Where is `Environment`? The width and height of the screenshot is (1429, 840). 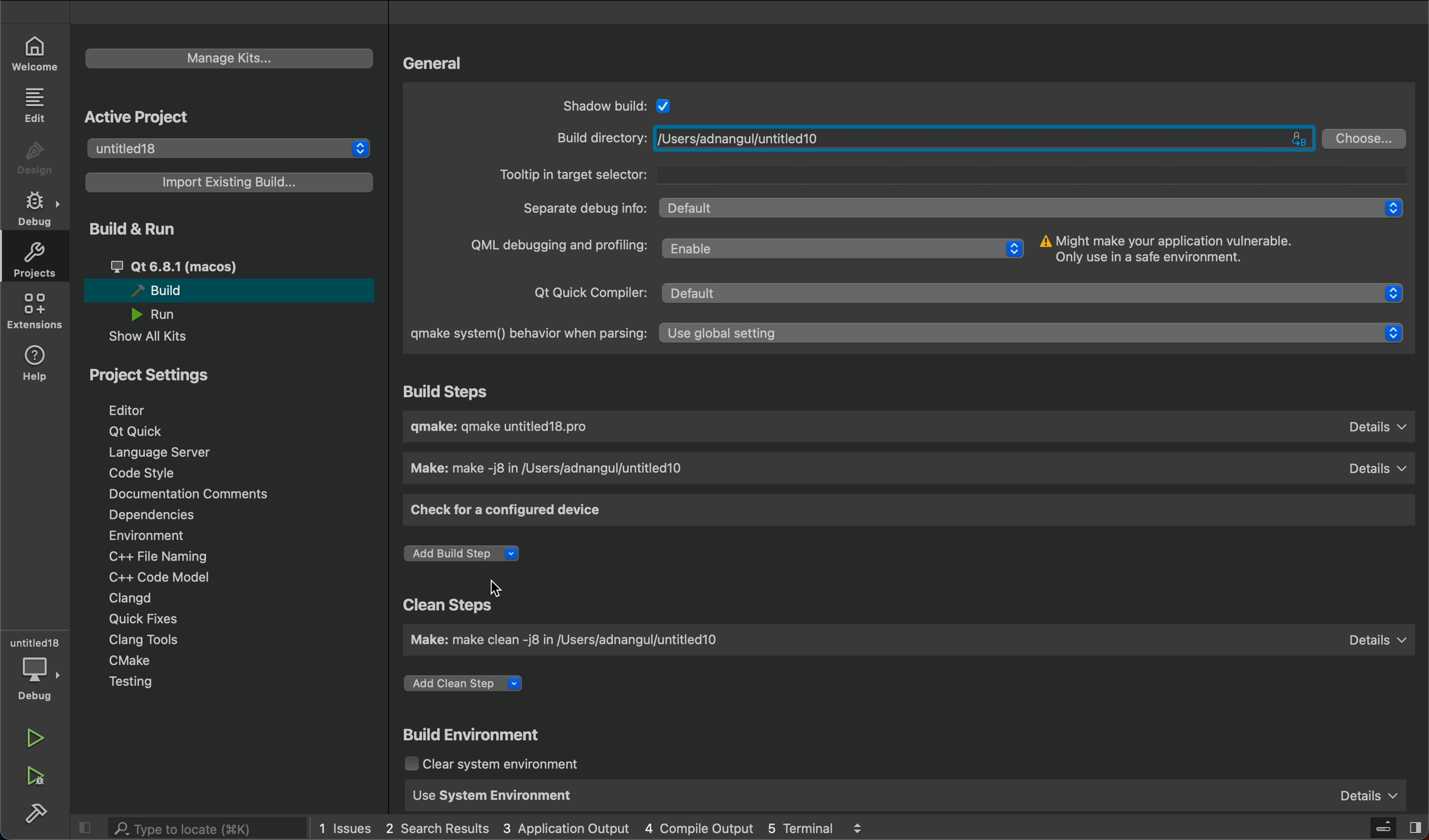 Environment is located at coordinates (147, 535).